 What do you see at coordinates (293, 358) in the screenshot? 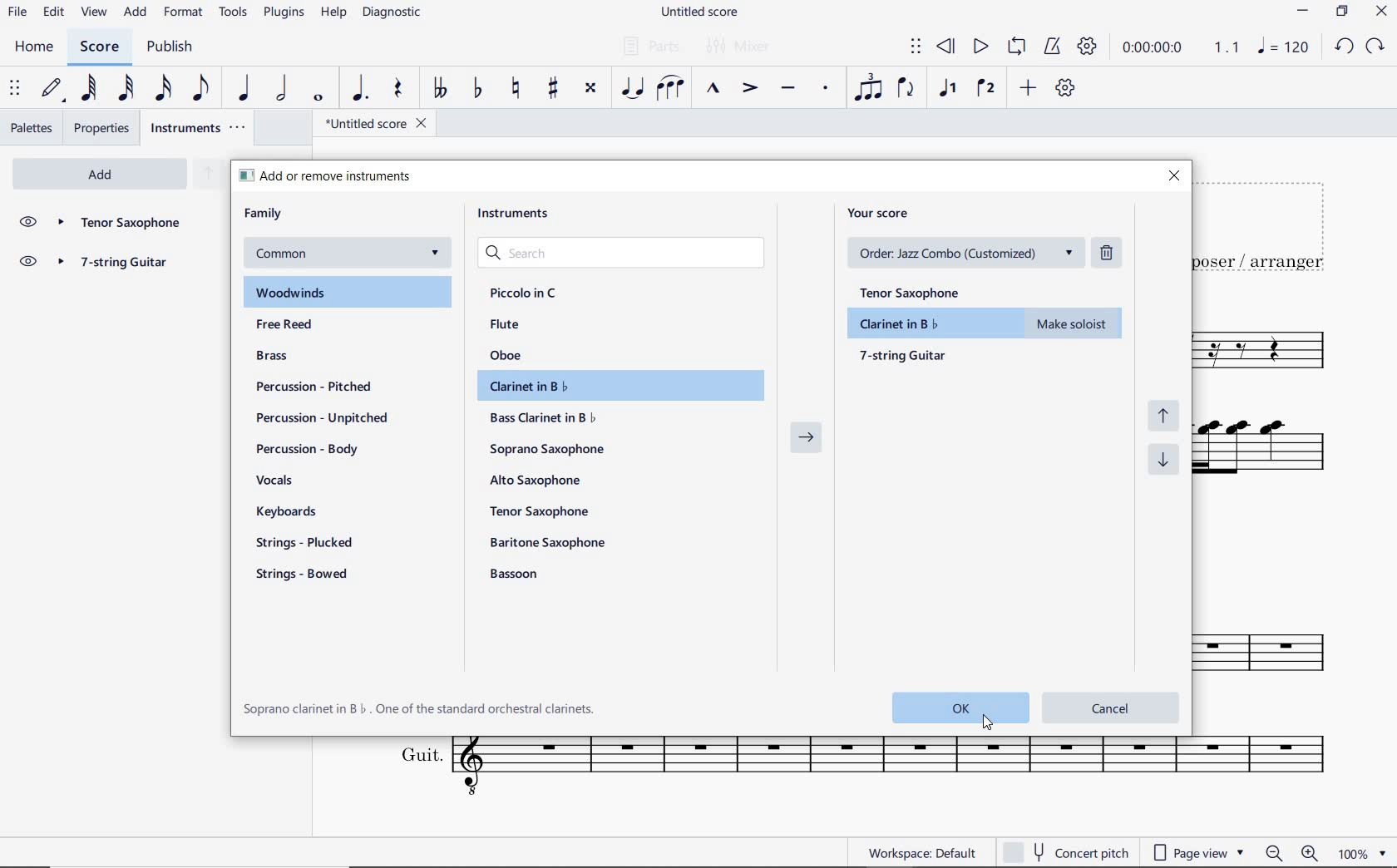
I see `brass` at bounding box center [293, 358].